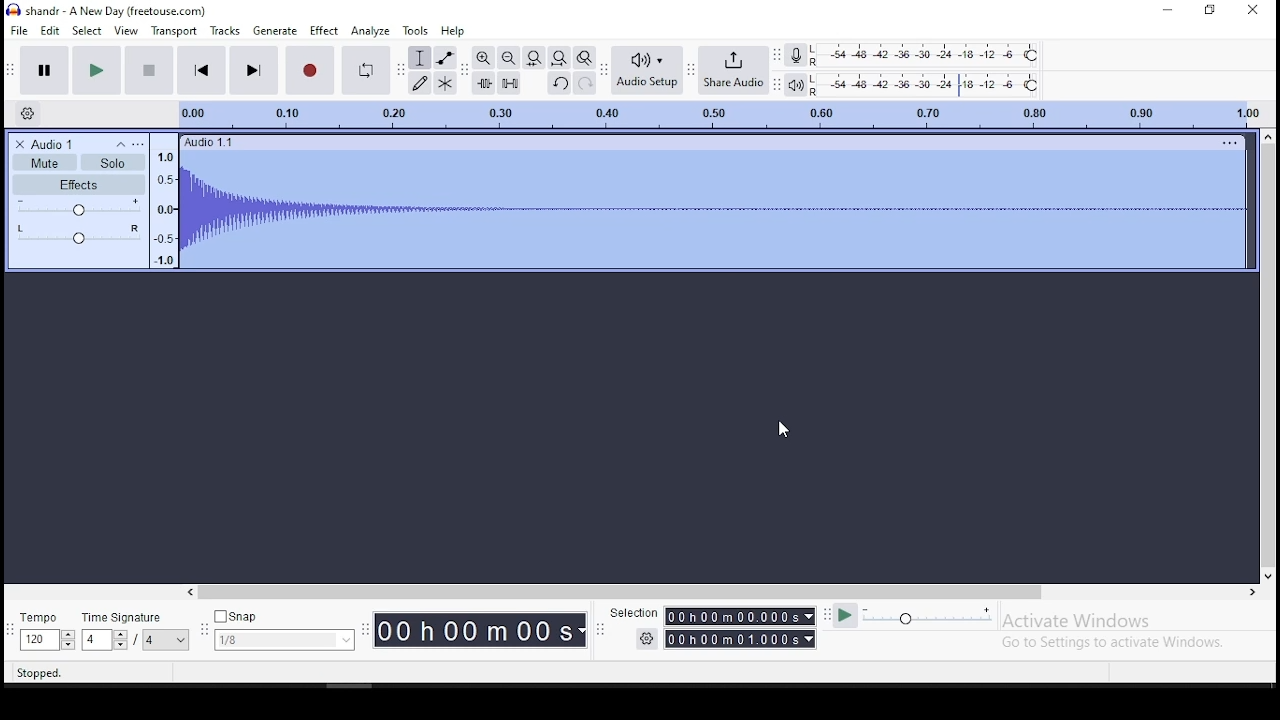 The image size is (1280, 720). What do you see at coordinates (80, 207) in the screenshot?
I see `volume` at bounding box center [80, 207].